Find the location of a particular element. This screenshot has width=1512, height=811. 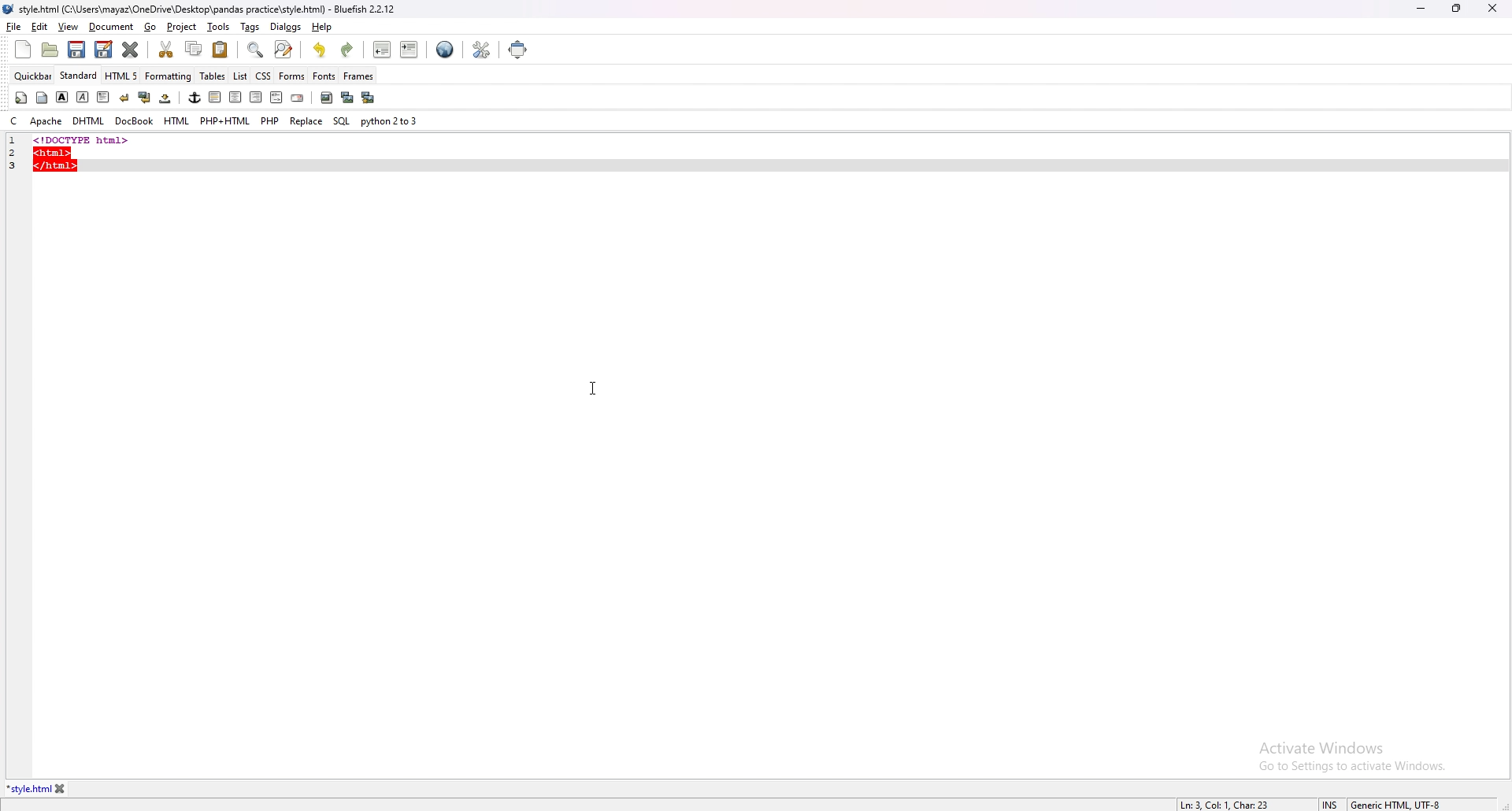

html is located at coordinates (177, 121).